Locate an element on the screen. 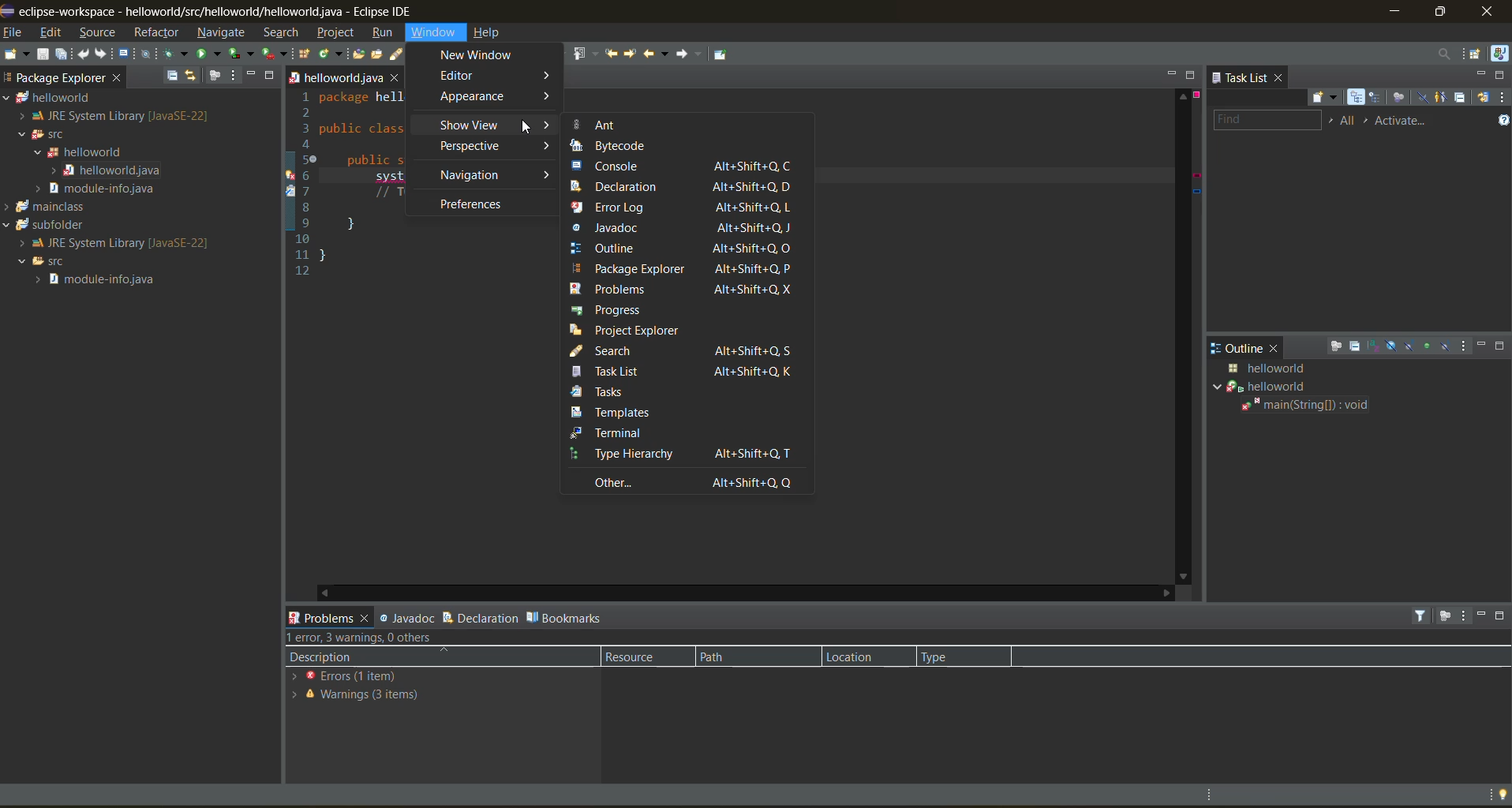 The image size is (1512, 808). helloworld java is located at coordinates (349, 77).